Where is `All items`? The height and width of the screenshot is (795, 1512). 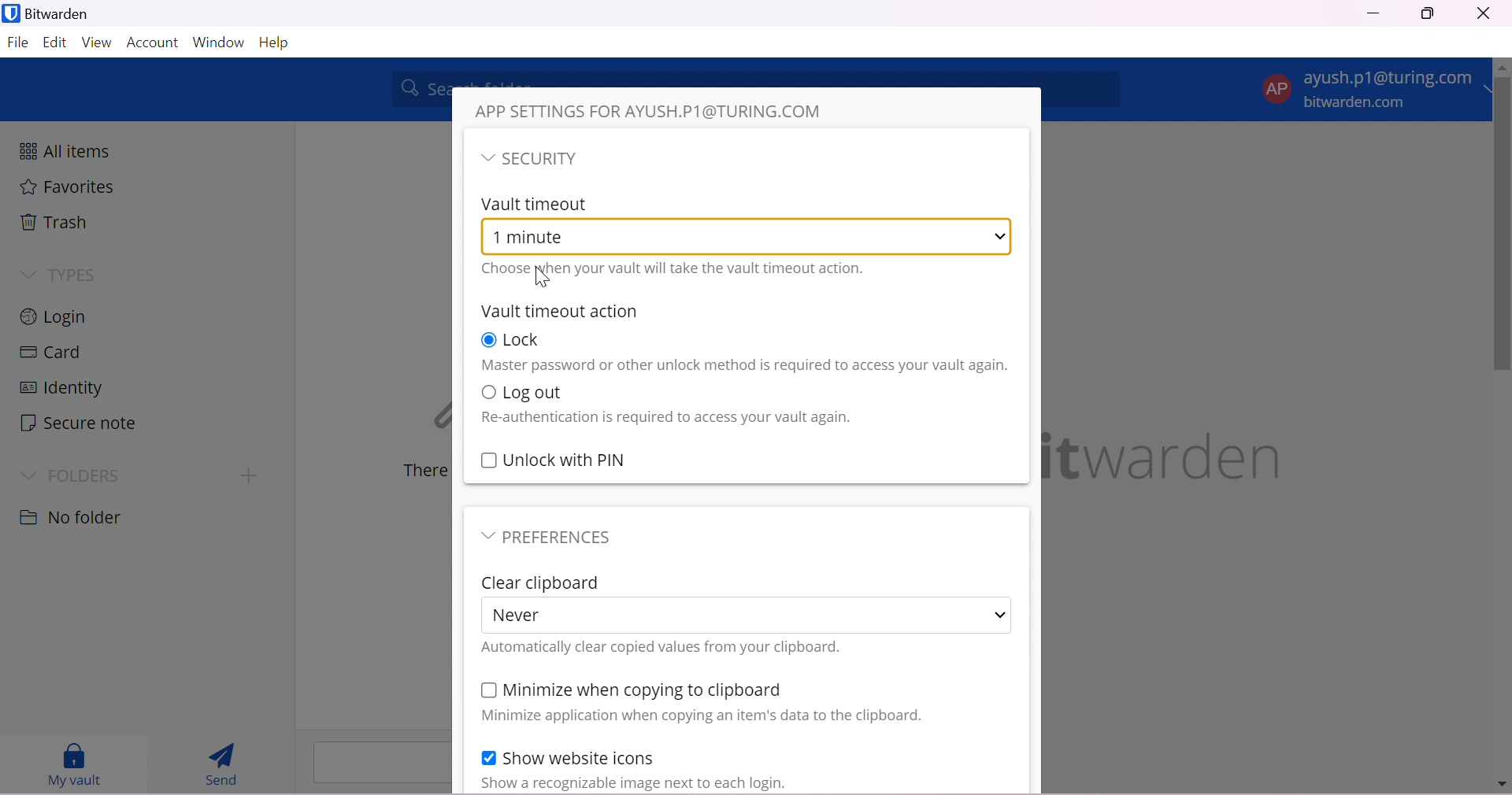
All items is located at coordinates (65, 149).